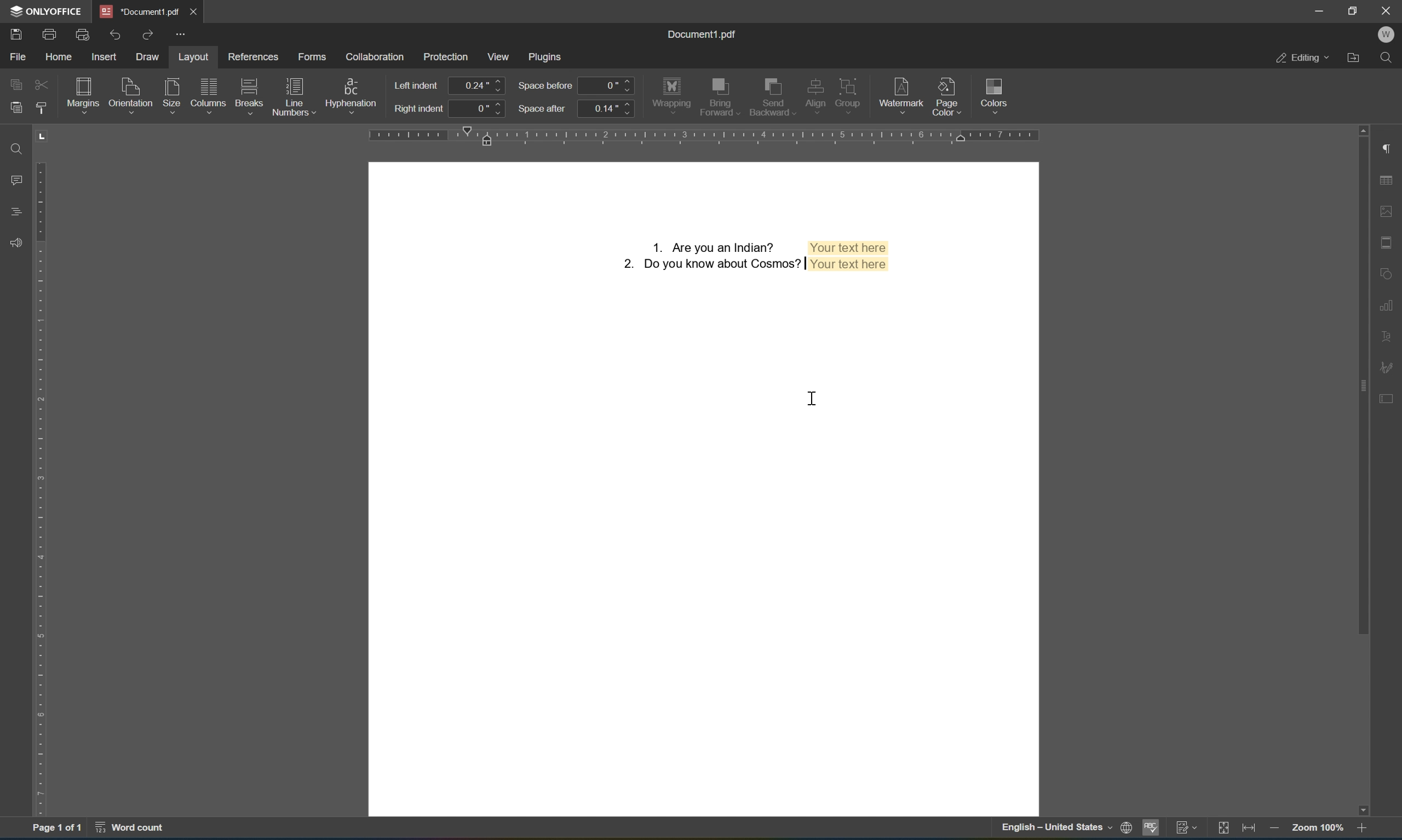 This screenshot has height=840, width=1402. What do you see at coordinates (1390, 367) in the screenshot?
I see `signature settings` at bounding box center [1390, 367].